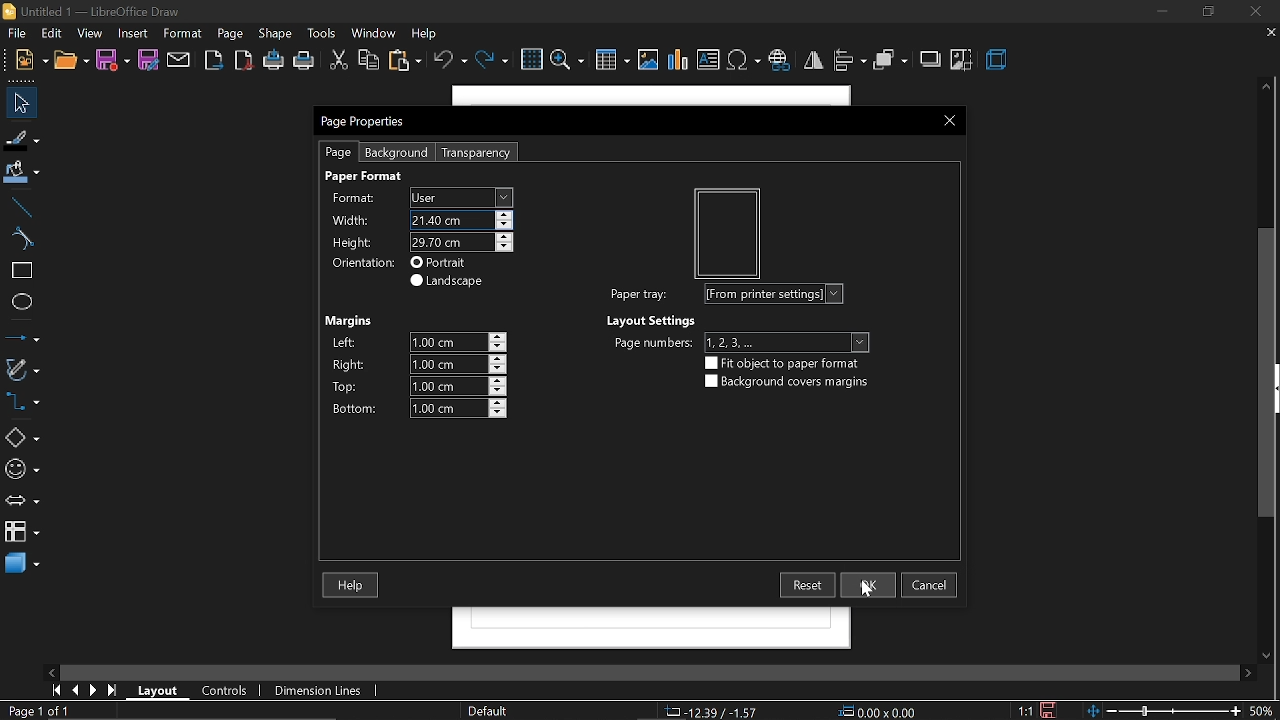 Image resolution: width=1280 pixels, height=720 pixels. I want to click on close tab, so click(1269, 32).